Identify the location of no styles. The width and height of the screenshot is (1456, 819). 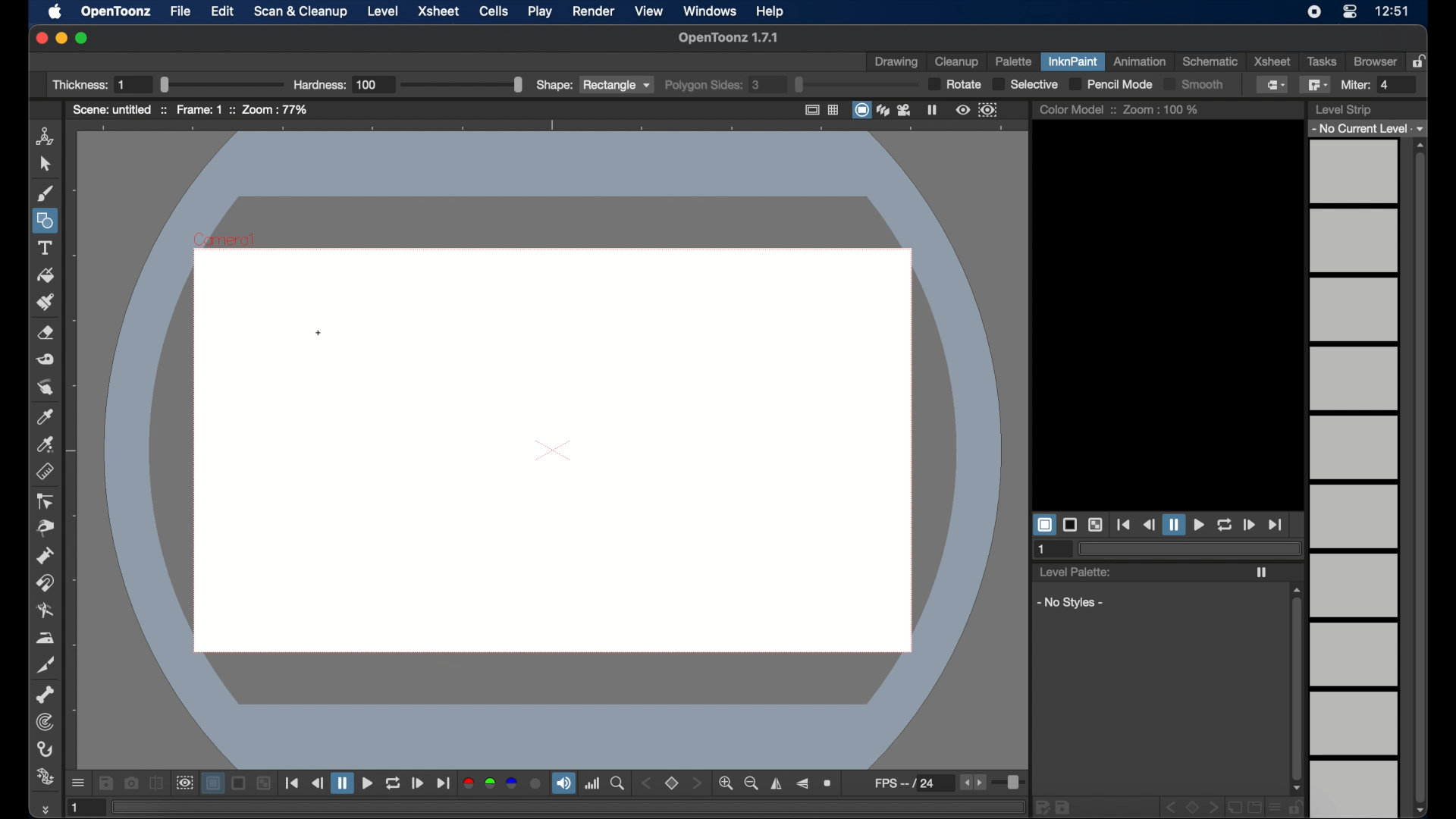
(1068, 603).